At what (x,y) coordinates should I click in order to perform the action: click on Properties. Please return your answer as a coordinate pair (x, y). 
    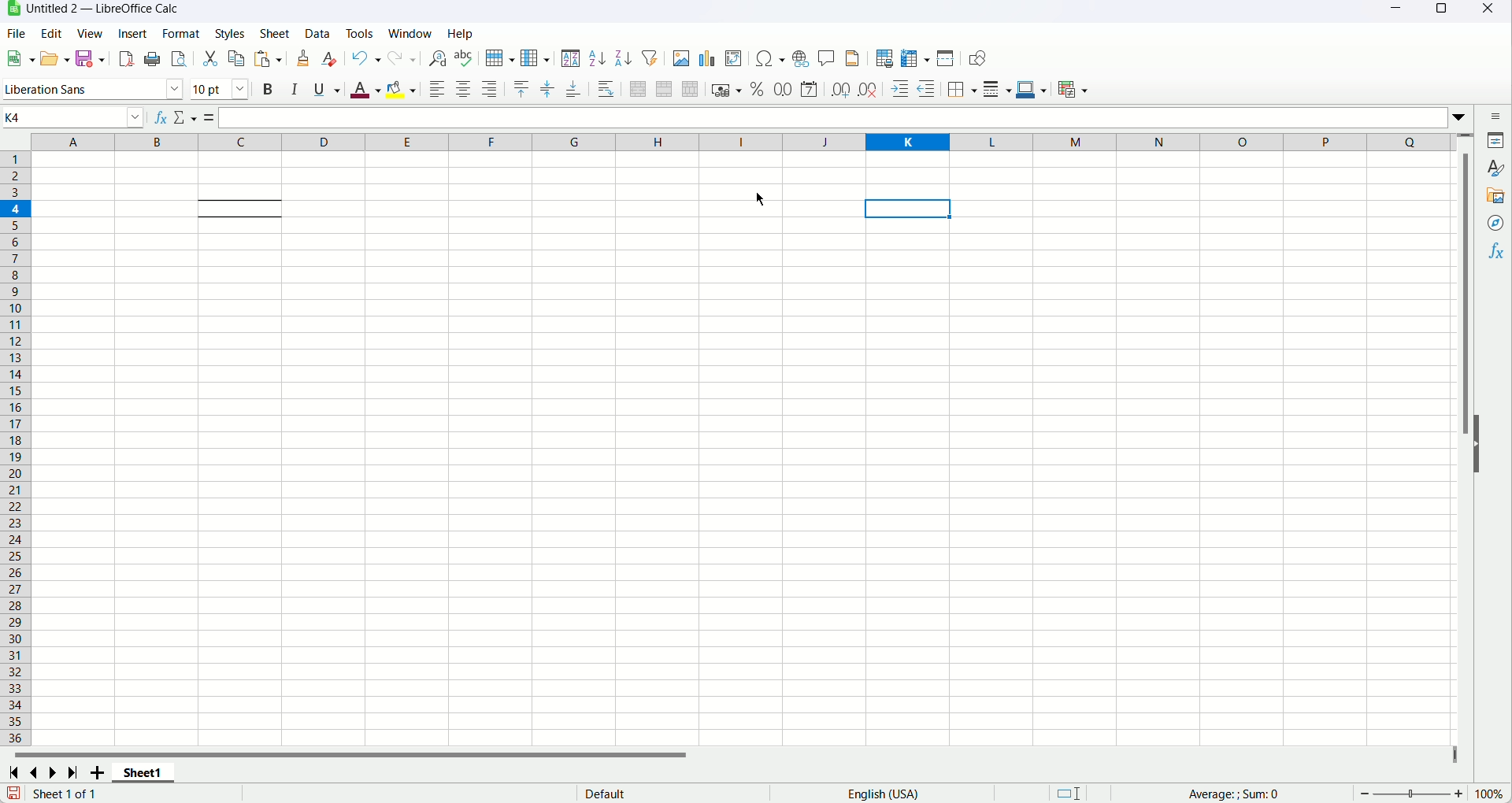
    Looking at the image, I should click on (1495, 140).